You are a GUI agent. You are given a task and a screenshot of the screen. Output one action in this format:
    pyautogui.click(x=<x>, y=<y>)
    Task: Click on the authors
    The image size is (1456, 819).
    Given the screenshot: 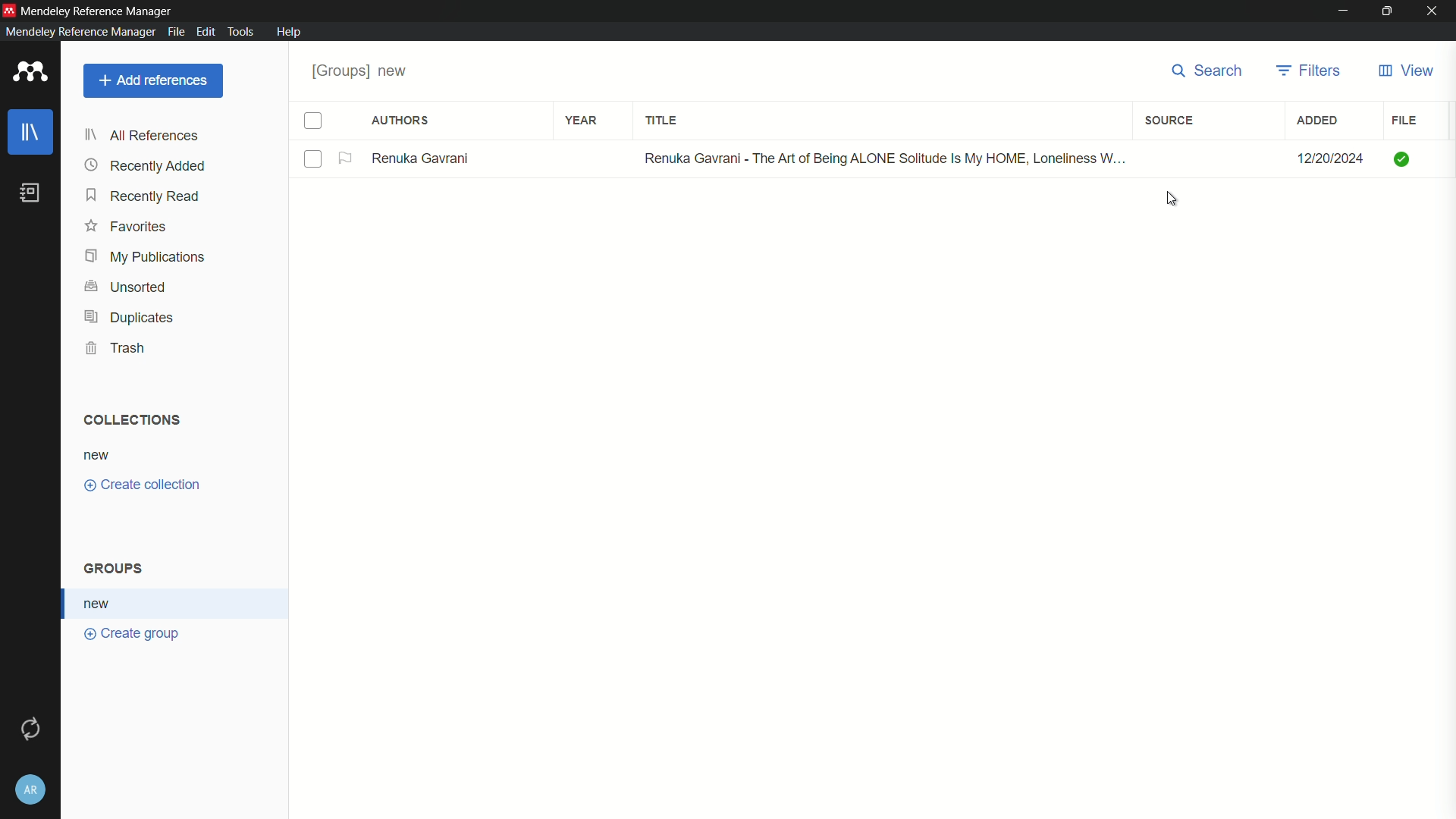 What is the action you would take?
    pyautogui.click(x=402, y=121)
    